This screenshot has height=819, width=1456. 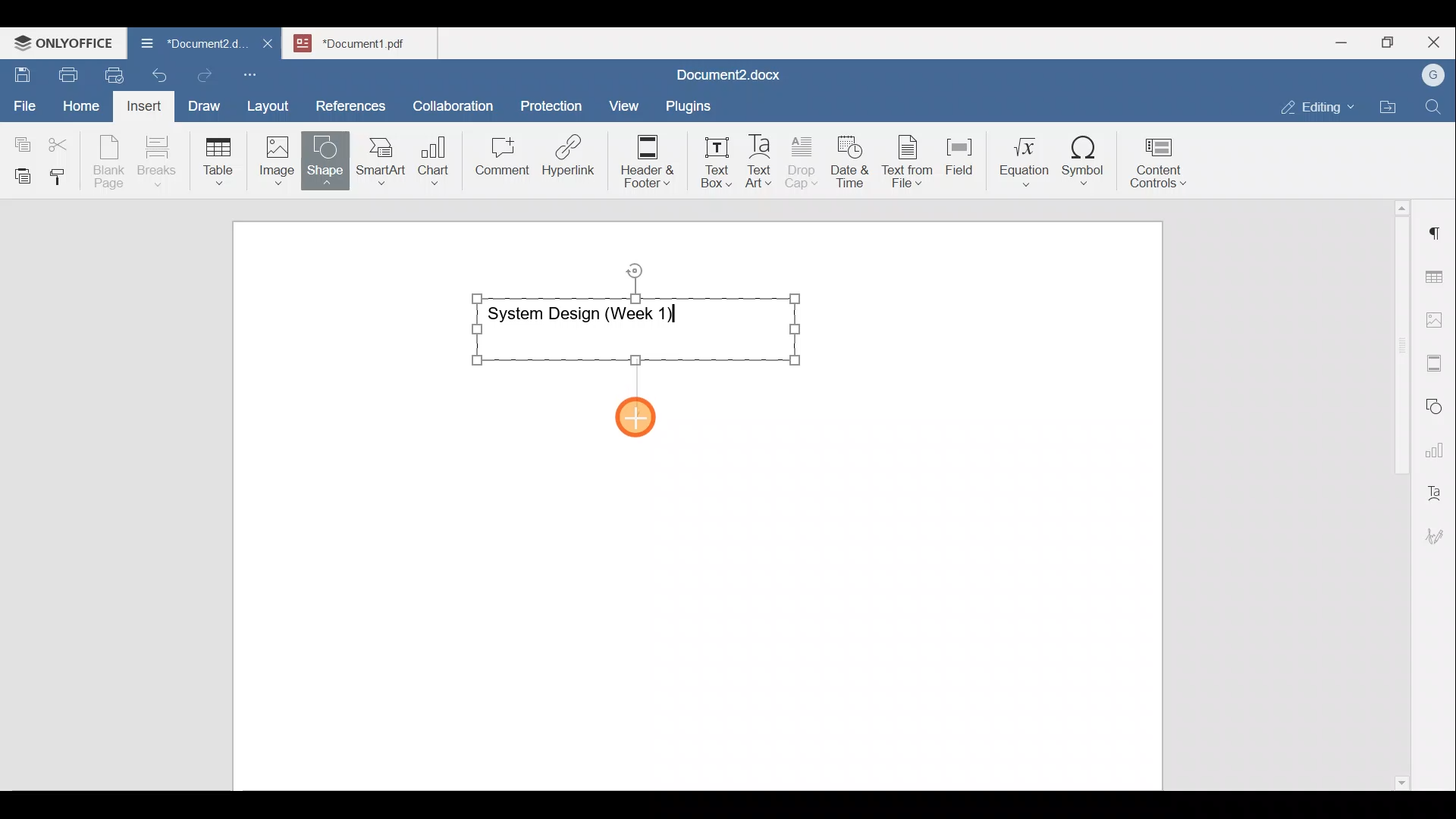 What do you see at coordinates (1392, 108) in the screenshot?
I see `Open file location` at bounding box center [1392, 108].